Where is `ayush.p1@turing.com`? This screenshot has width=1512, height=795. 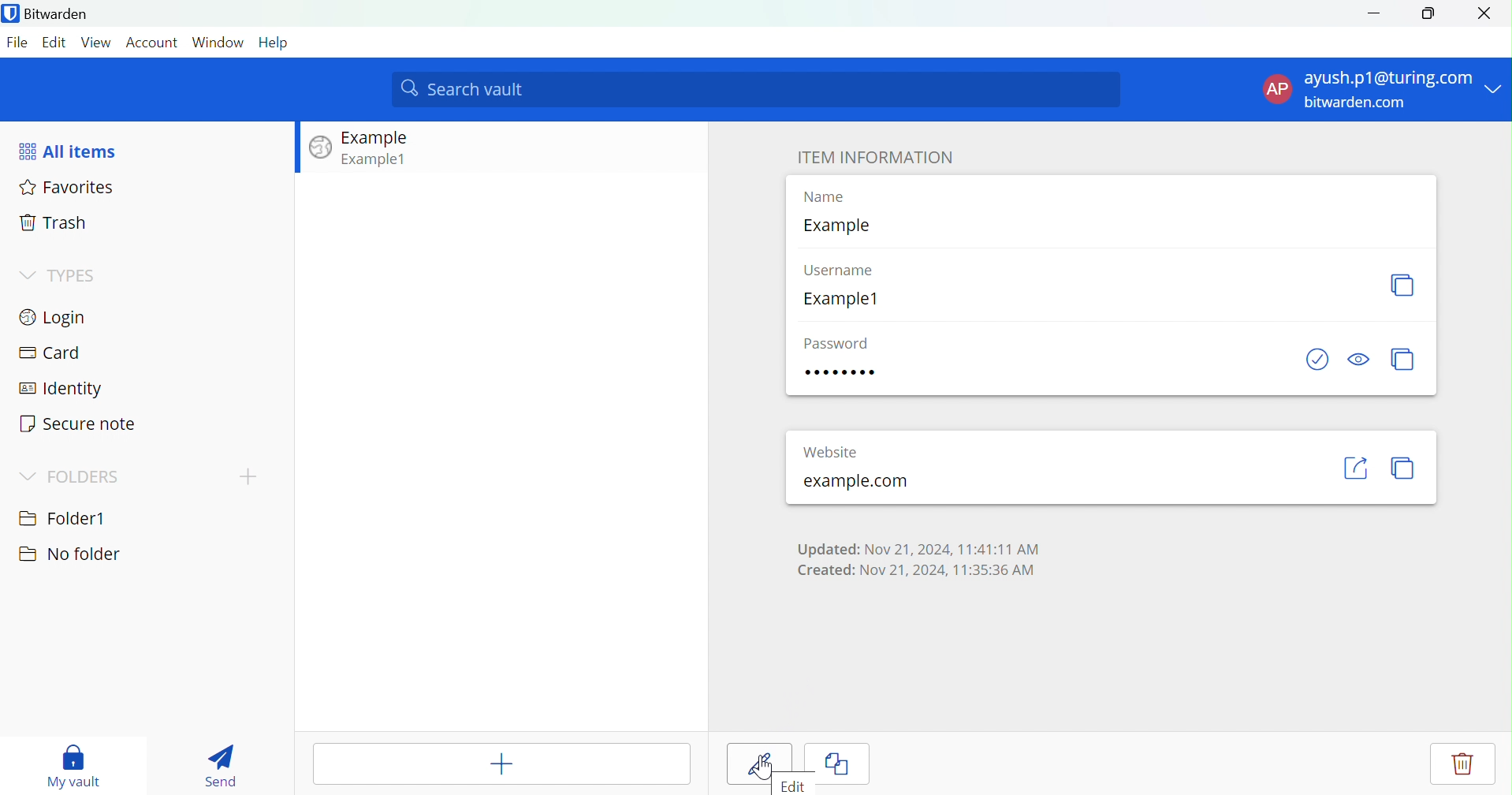 ayush.p1@turing.com is located at coordinates (1390, 78).